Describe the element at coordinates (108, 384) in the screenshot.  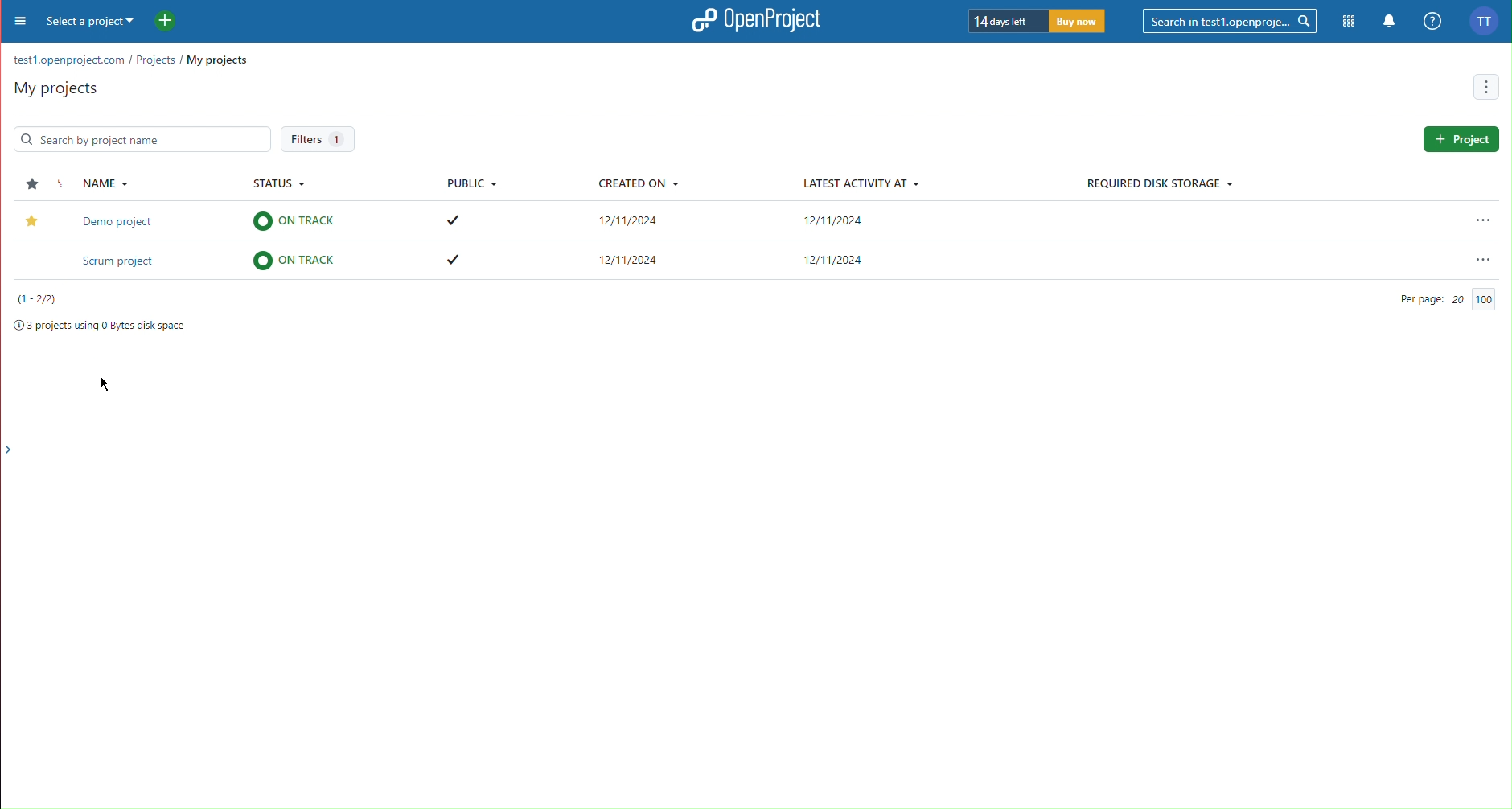
I see `cursor` at that location.